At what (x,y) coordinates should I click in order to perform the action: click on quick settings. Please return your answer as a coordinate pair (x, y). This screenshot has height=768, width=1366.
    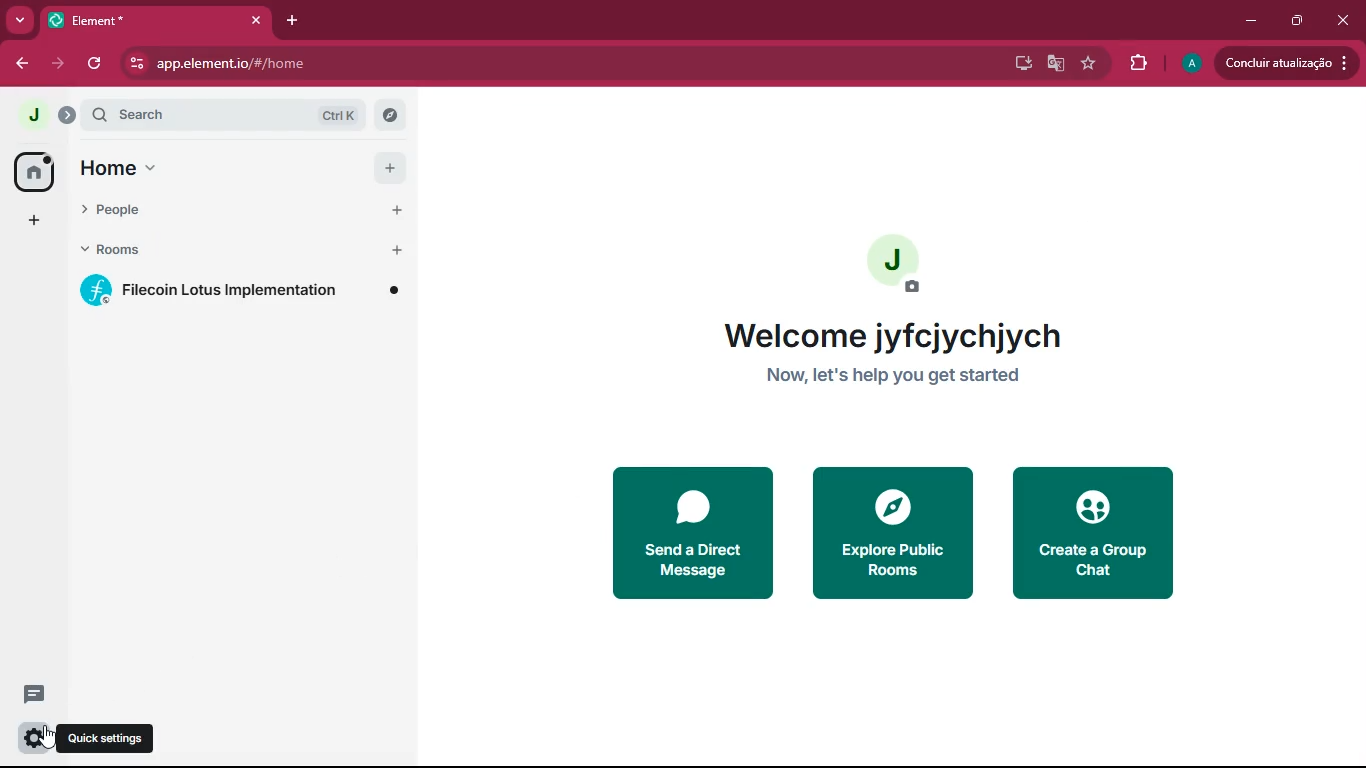
    Looking at the image, I should click on (35, 739).